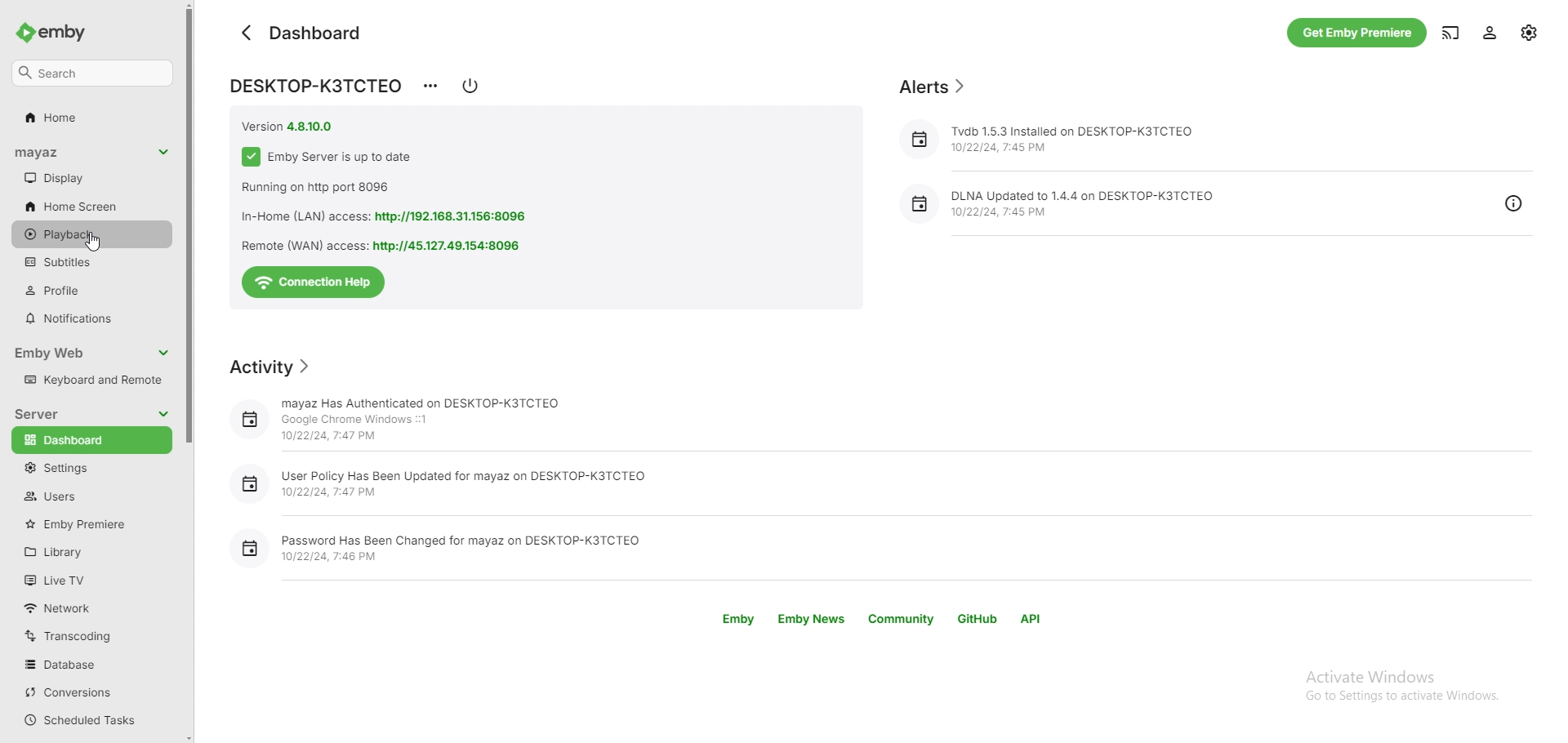  I want to click on scheduled tasks, so click(87, 720).